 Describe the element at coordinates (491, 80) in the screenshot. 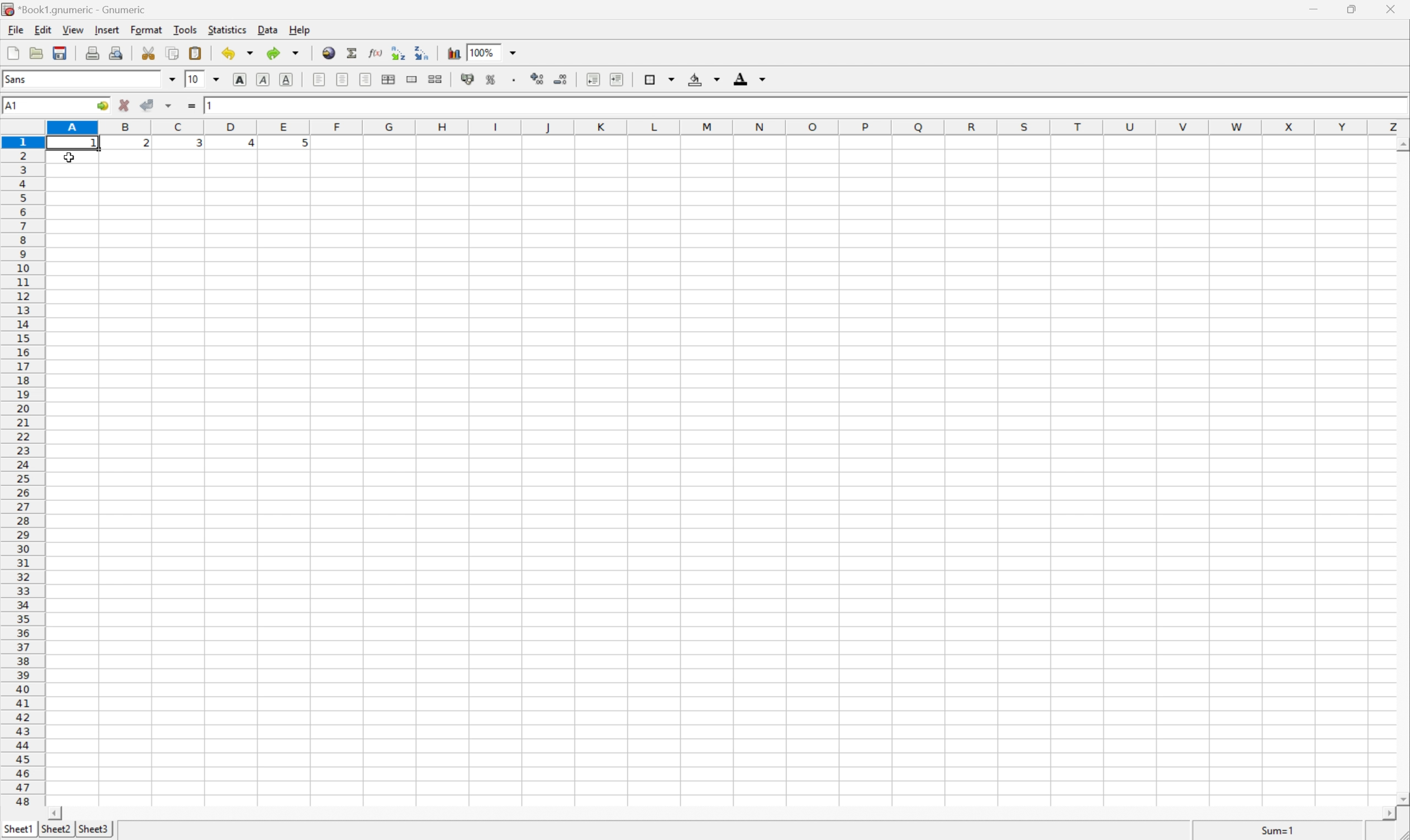

I see `format selection as percentage` at that location.